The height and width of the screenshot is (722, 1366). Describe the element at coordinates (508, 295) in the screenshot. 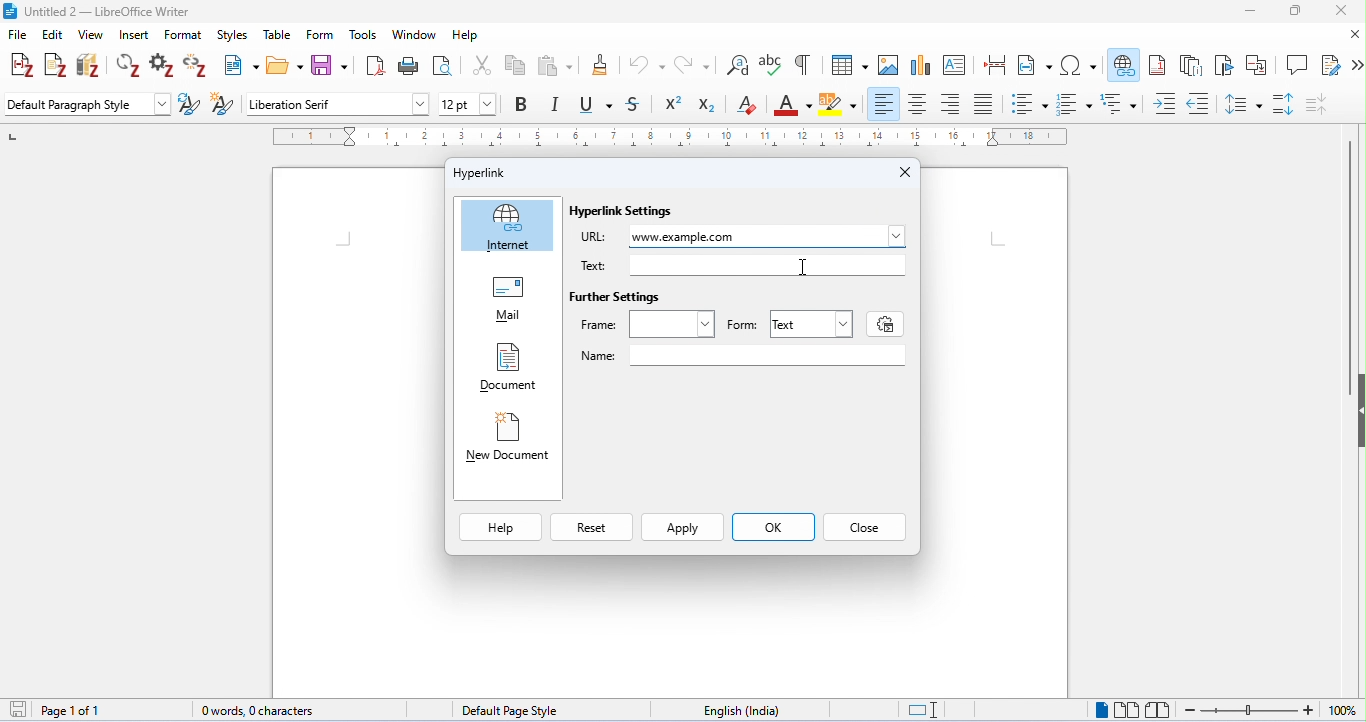

I see `Mail` at that location.